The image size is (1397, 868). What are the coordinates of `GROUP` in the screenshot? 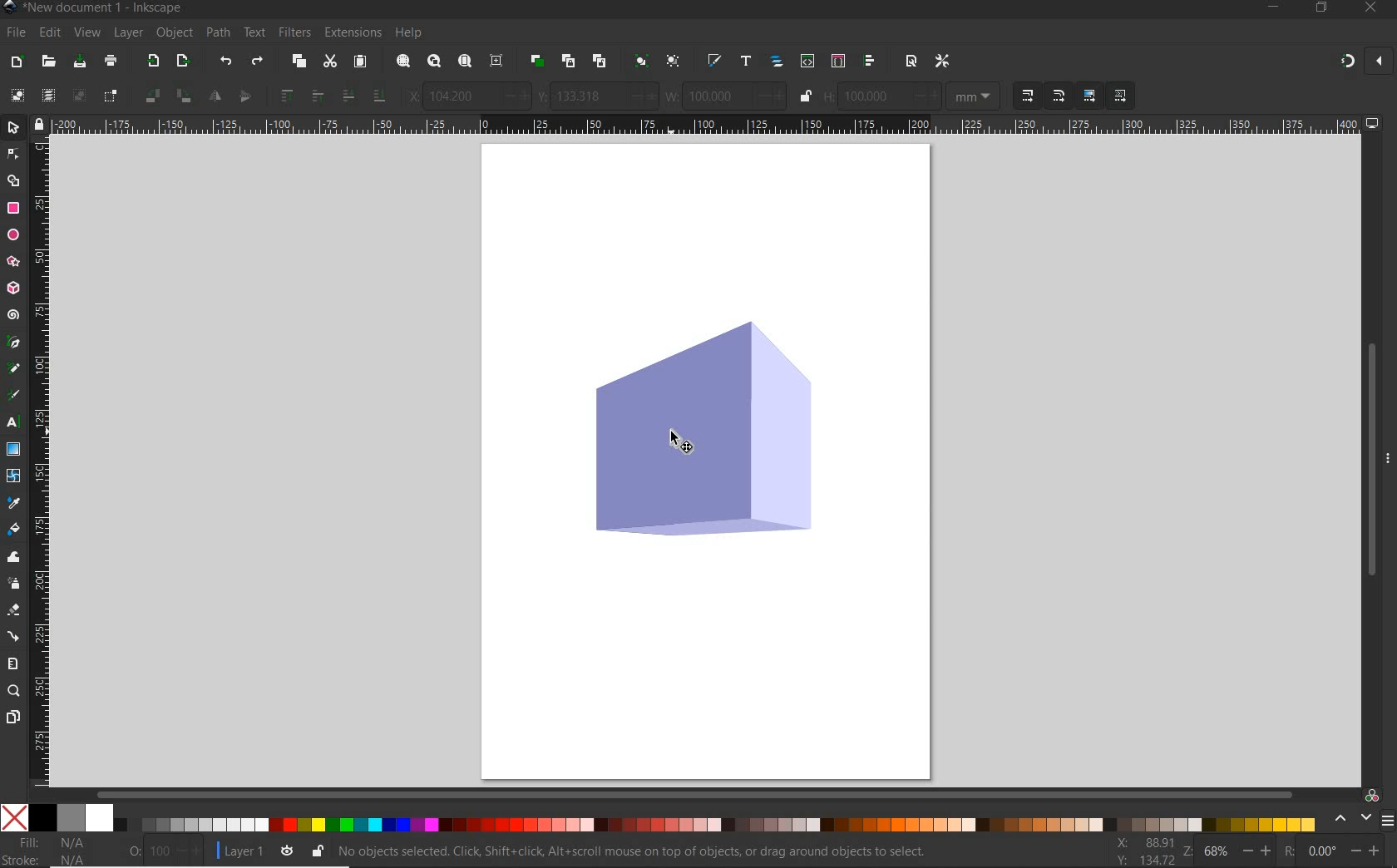 It's located at (639, 61).